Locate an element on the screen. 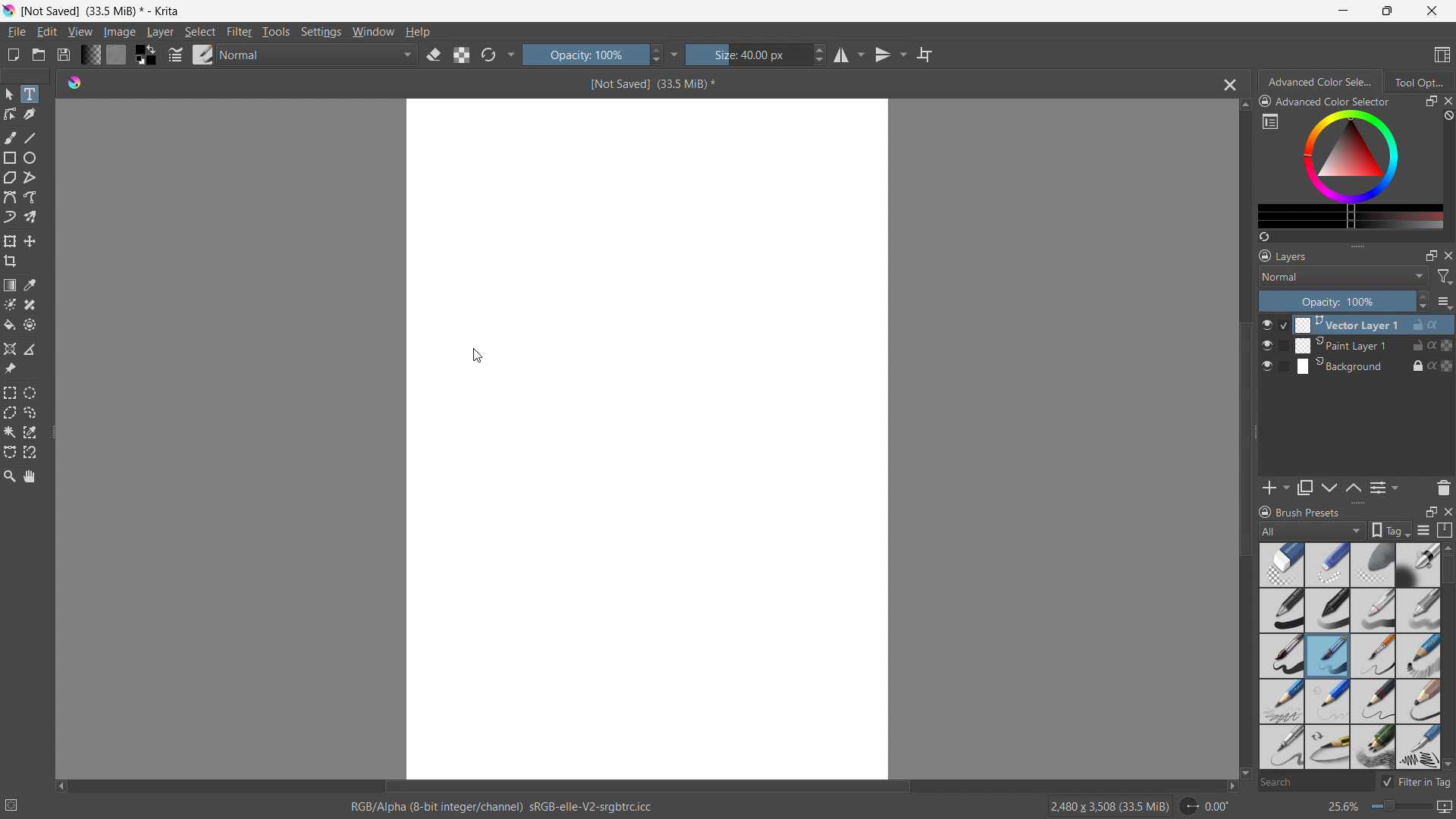  vertical mirror tool is located at coordinates (888, 55).